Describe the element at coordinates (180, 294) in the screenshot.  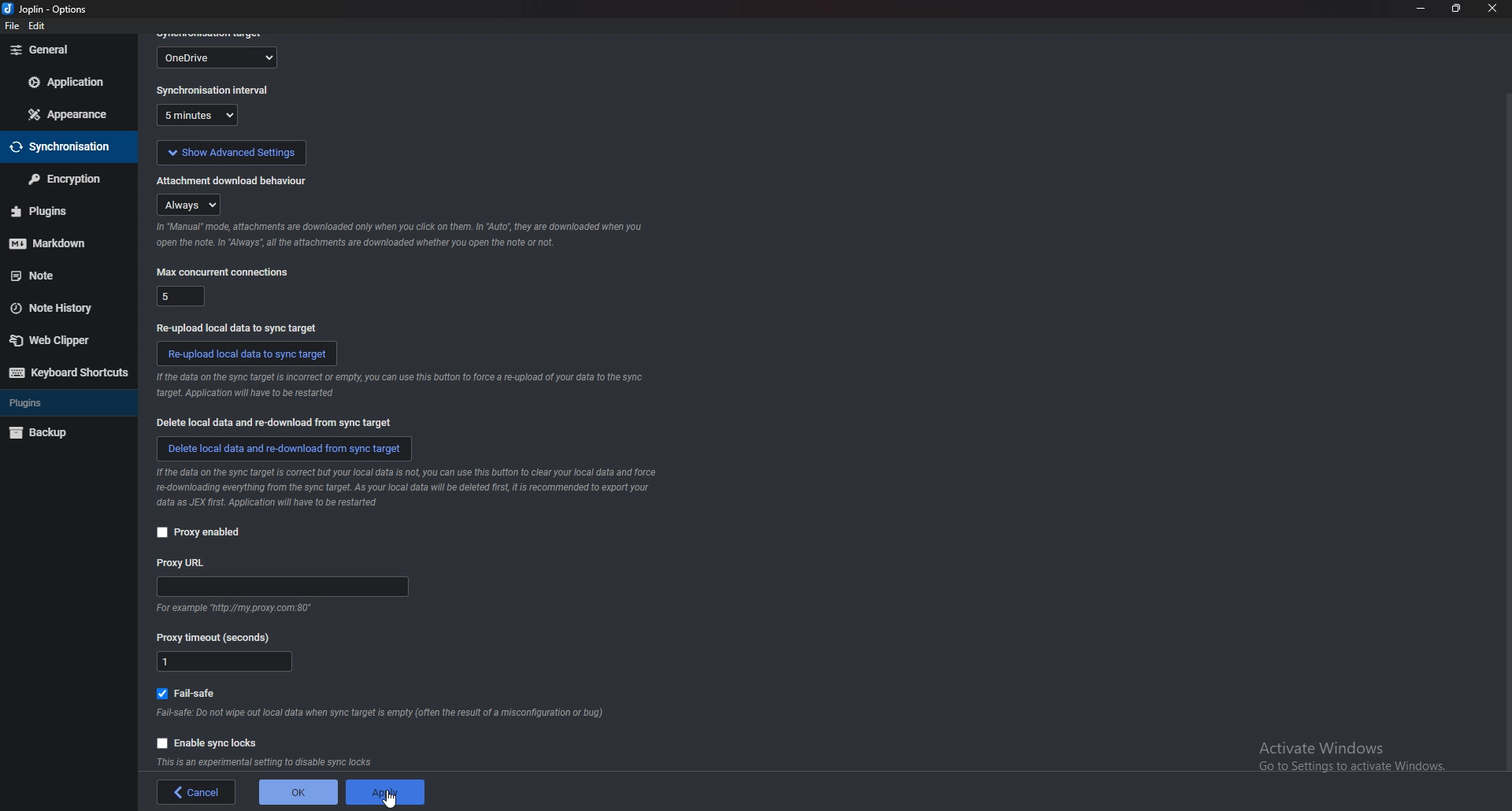
I see `max concurrent connections` at that location.